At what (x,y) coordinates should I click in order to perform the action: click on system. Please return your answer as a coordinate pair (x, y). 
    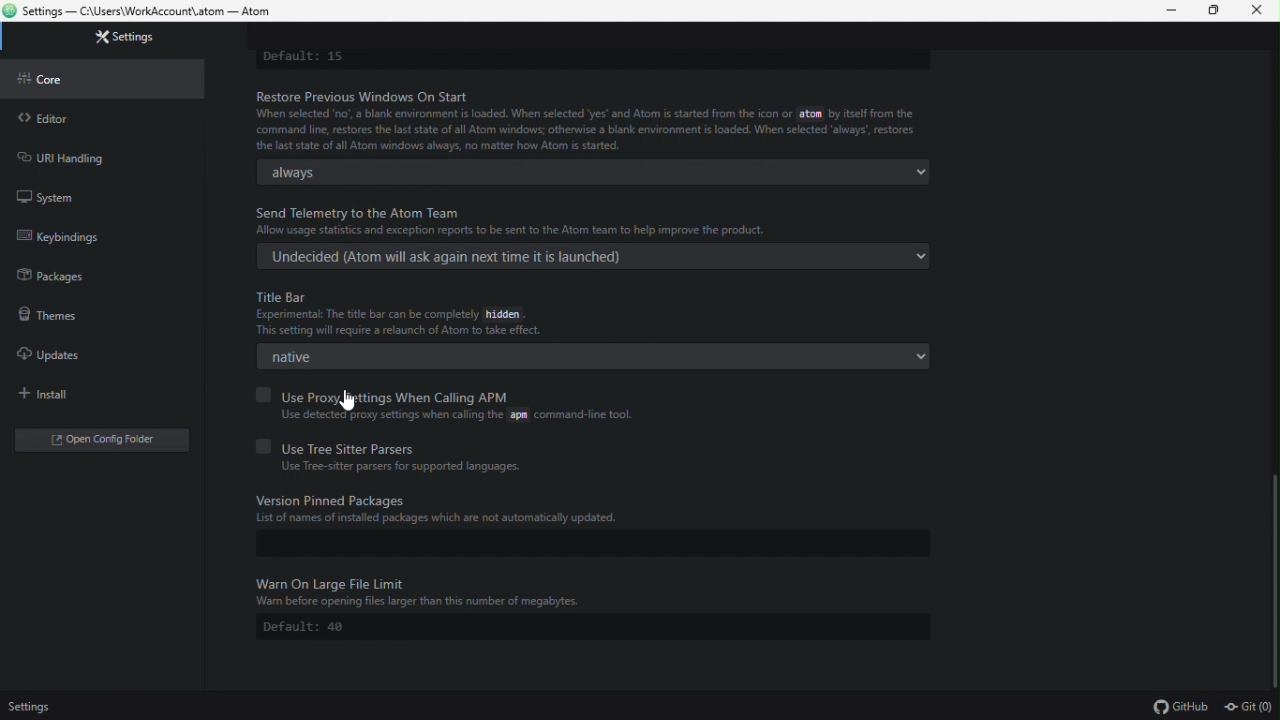
    Looking at the image, I should click on (98, 195).